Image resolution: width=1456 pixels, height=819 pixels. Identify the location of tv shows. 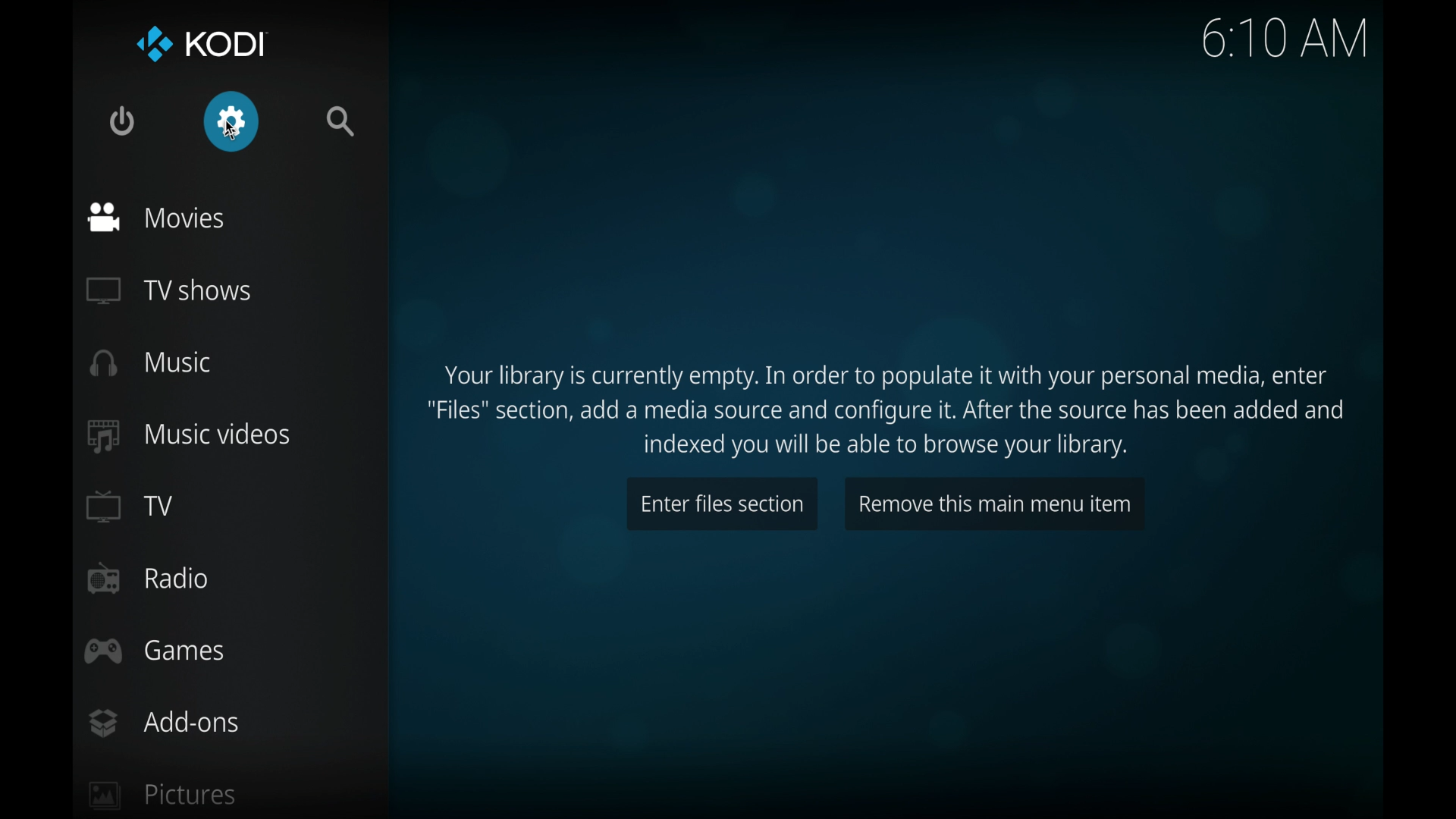
(168, 292).